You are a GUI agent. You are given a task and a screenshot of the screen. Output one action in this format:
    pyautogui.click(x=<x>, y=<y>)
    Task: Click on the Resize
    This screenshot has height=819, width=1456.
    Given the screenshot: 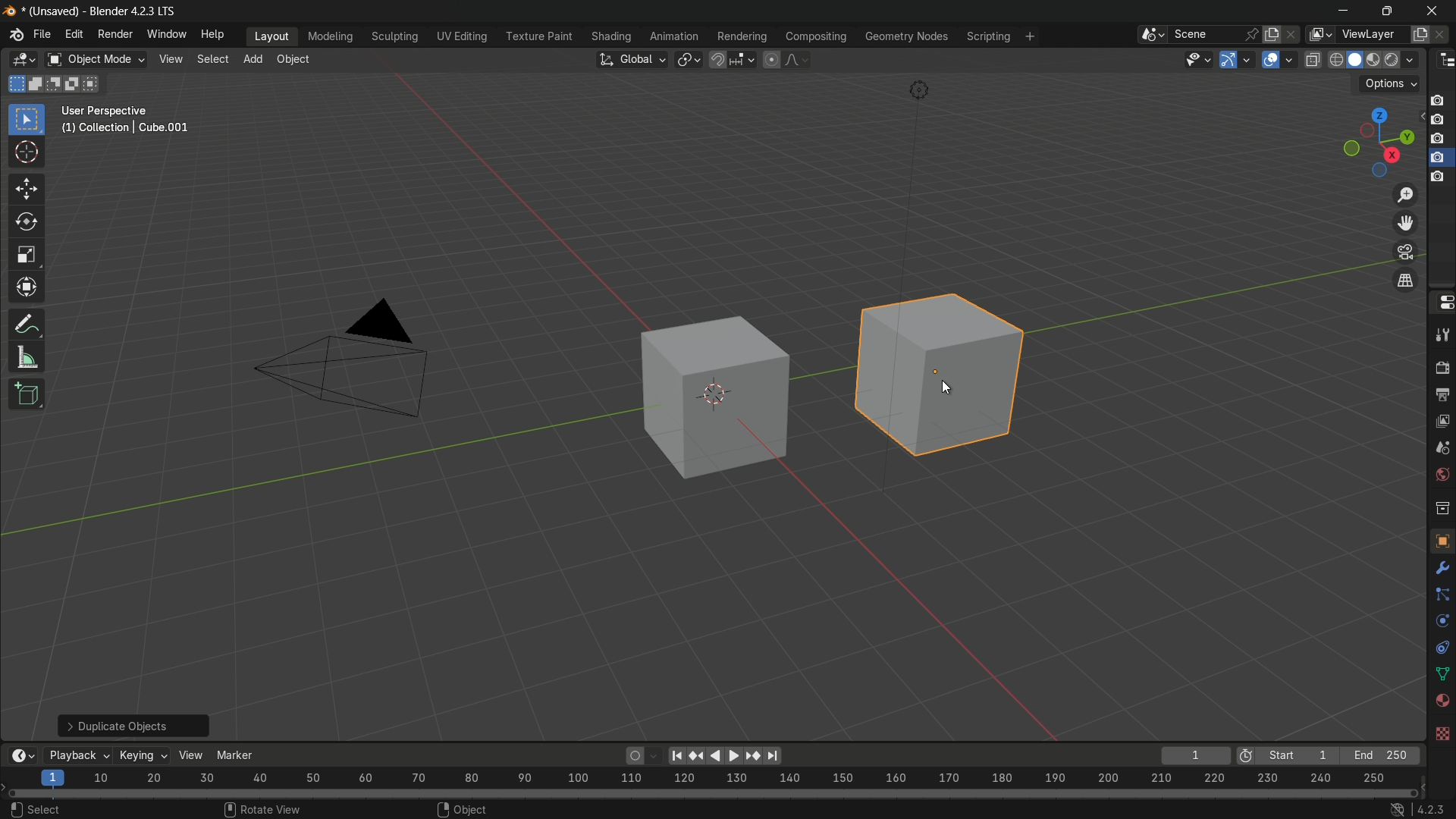 What is the action you would take?
    pyautogui.click(x=733, y=808)
    